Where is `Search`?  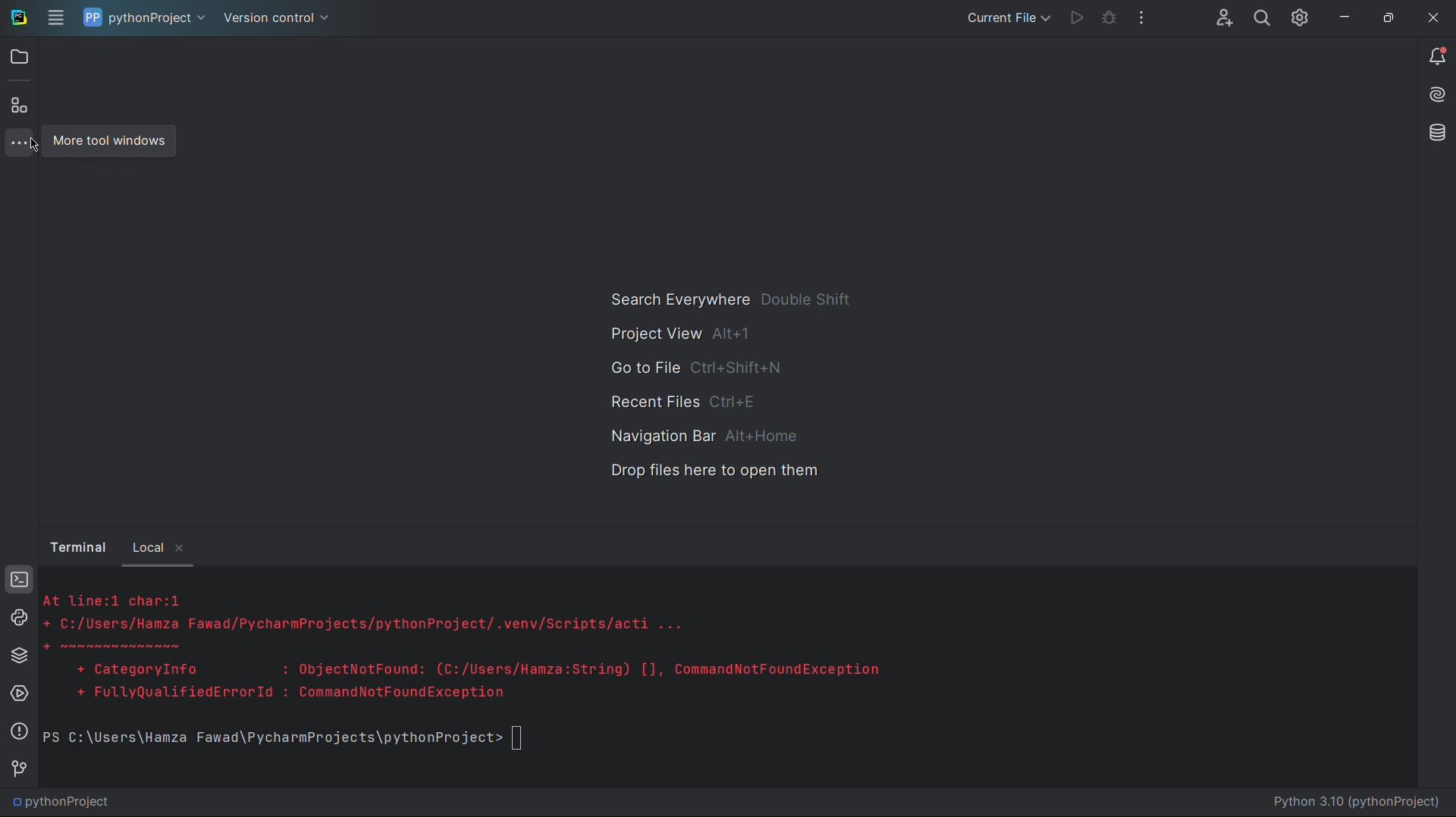
Search is located at coordinates (1263, 17).